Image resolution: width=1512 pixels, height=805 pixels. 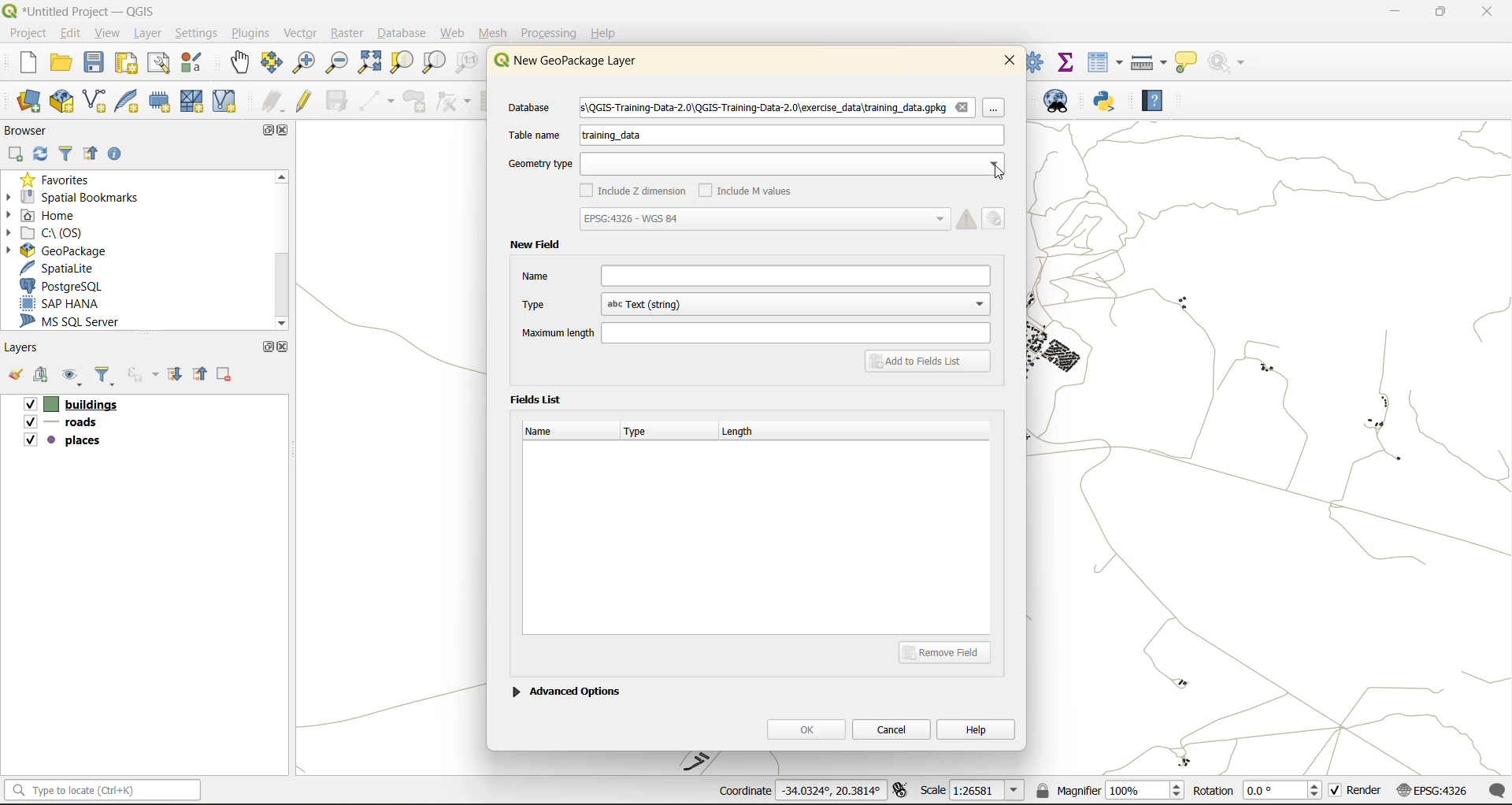 What do you see at coordinates (535, 245) in the screenshot?
I see `new field` at bounding box center [535, 245].